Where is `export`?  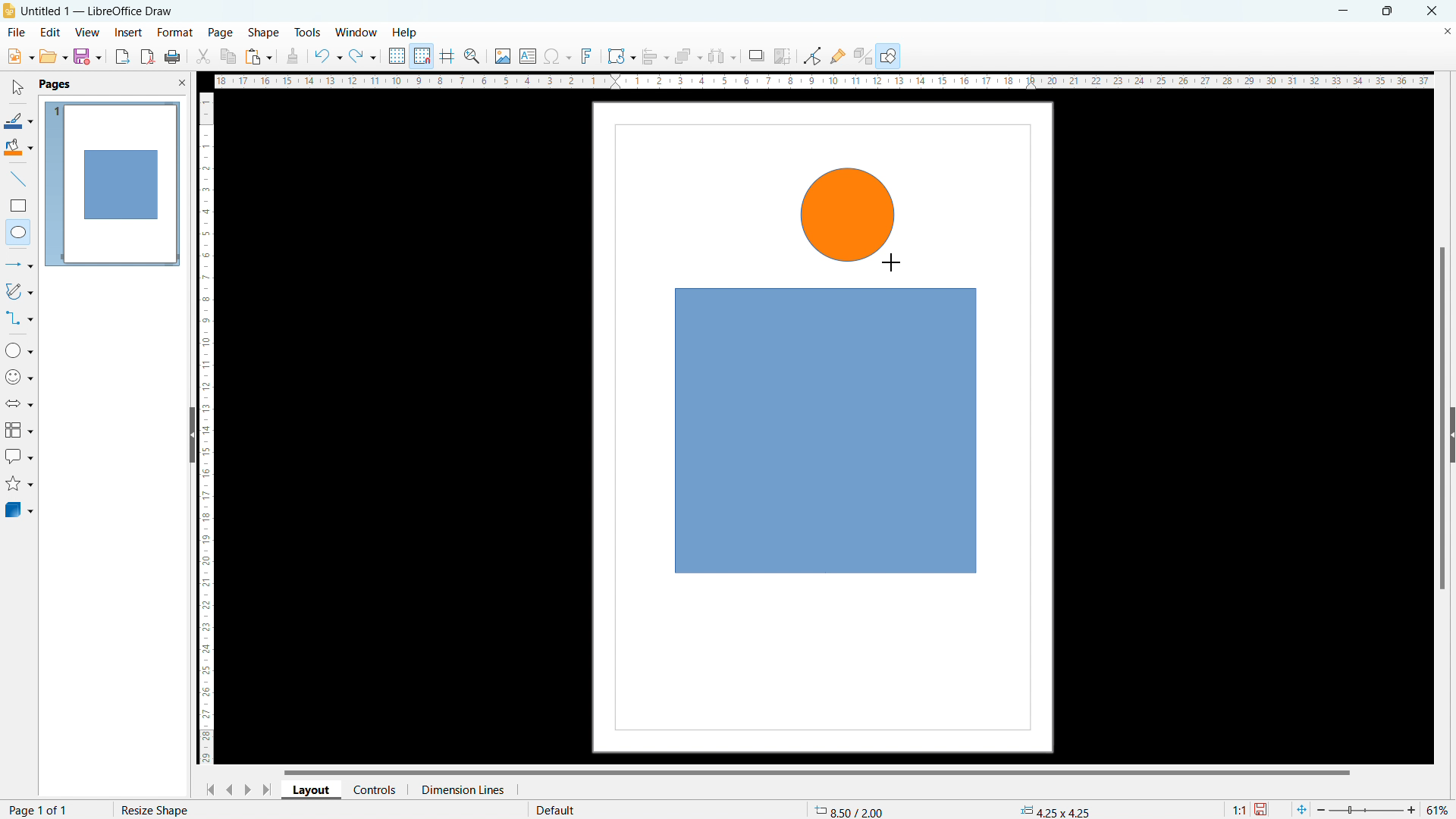 export is located at coordinates (123, 56).